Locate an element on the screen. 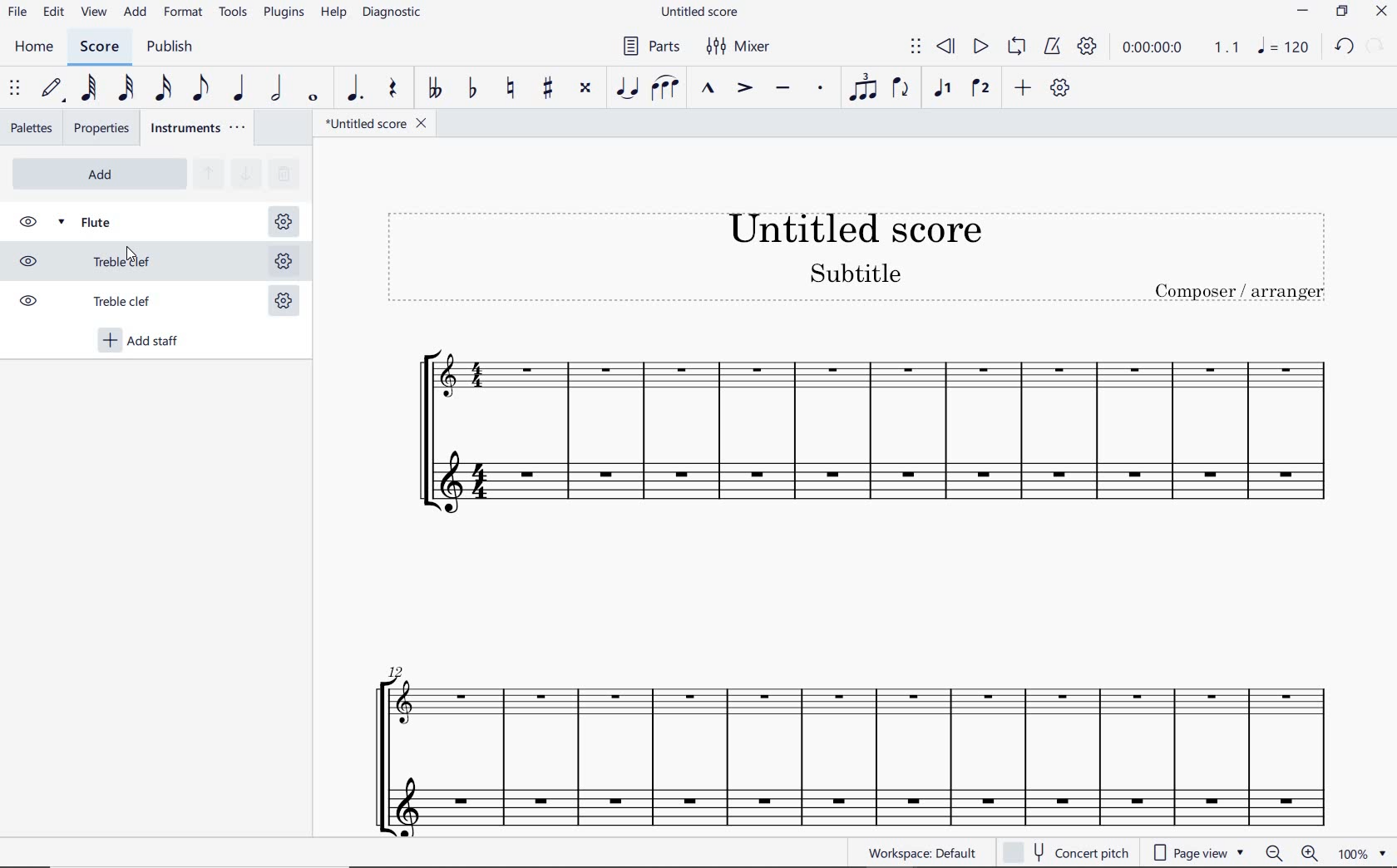 This screenshot has width=1397, height=868. QUARTER NOTE is located at coordinates (239, 89).